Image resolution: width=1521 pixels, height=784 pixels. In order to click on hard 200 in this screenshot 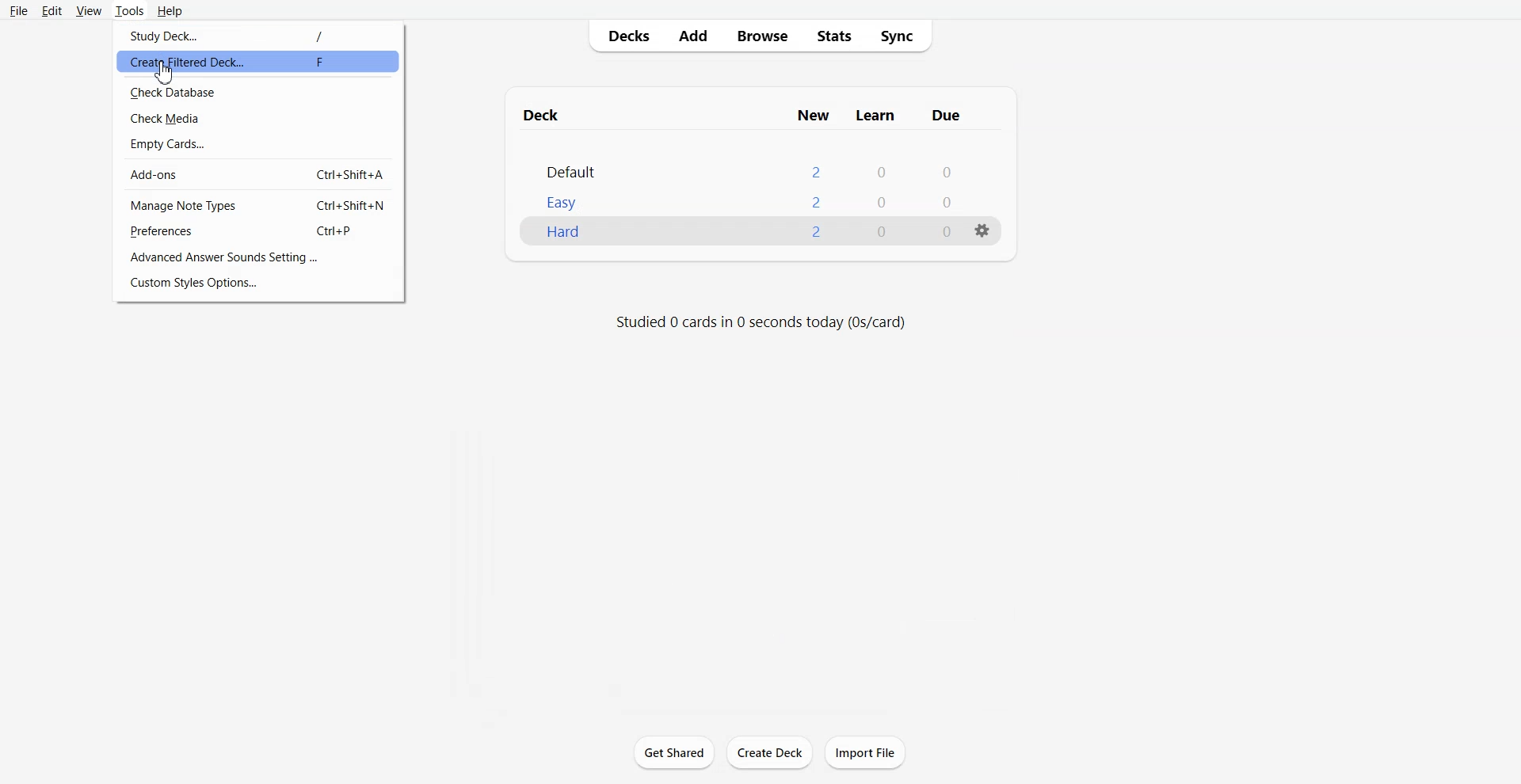, I will do `click(730, 237)`.